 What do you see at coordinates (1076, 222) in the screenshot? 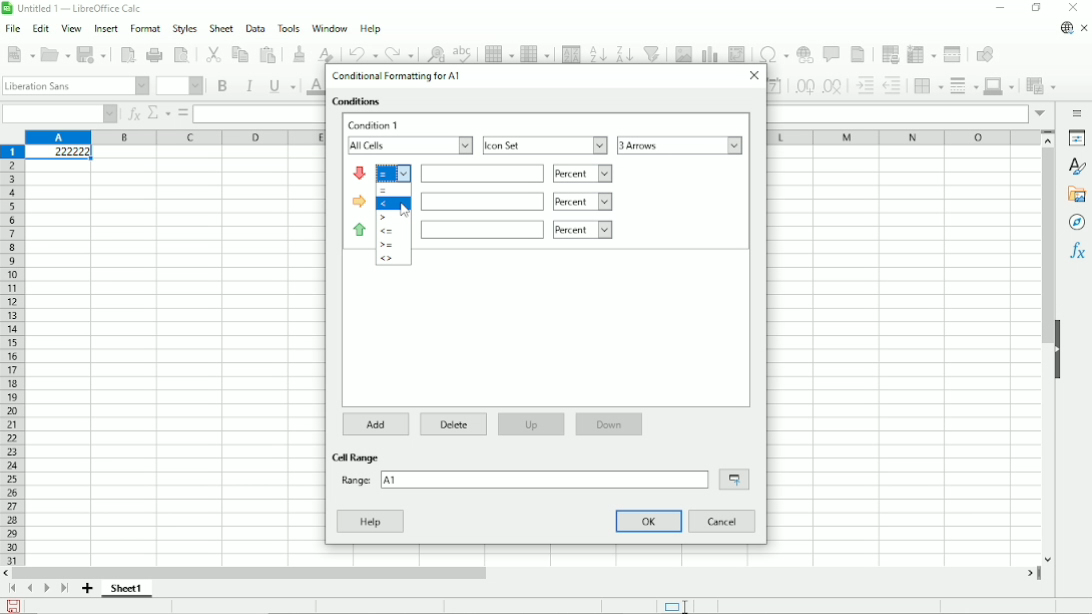
I see `Navigator` at bounding box center [1076, 222].